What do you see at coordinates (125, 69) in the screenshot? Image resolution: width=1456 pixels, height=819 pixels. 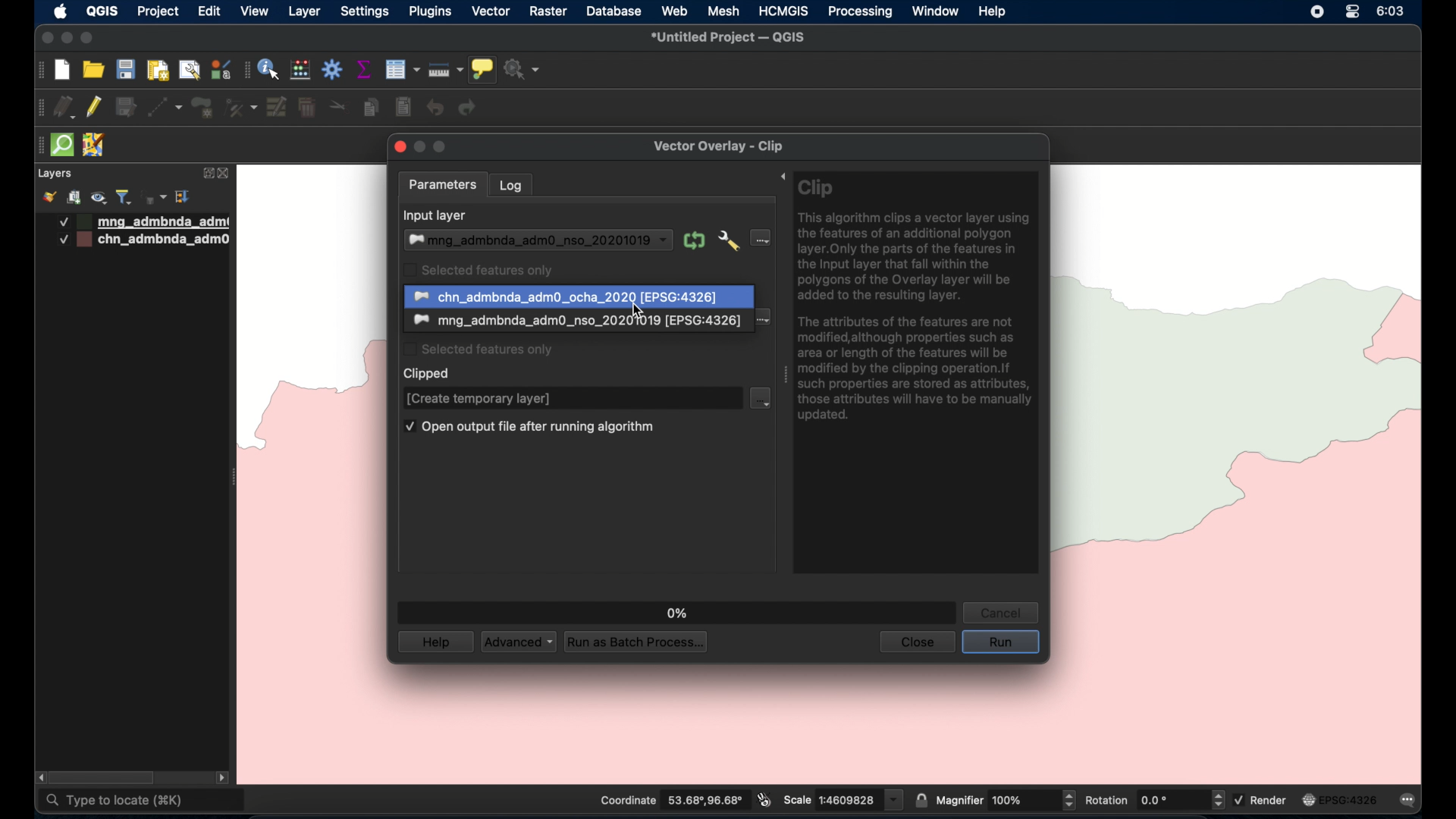 I see `save project` at bounding box center [125, 69].